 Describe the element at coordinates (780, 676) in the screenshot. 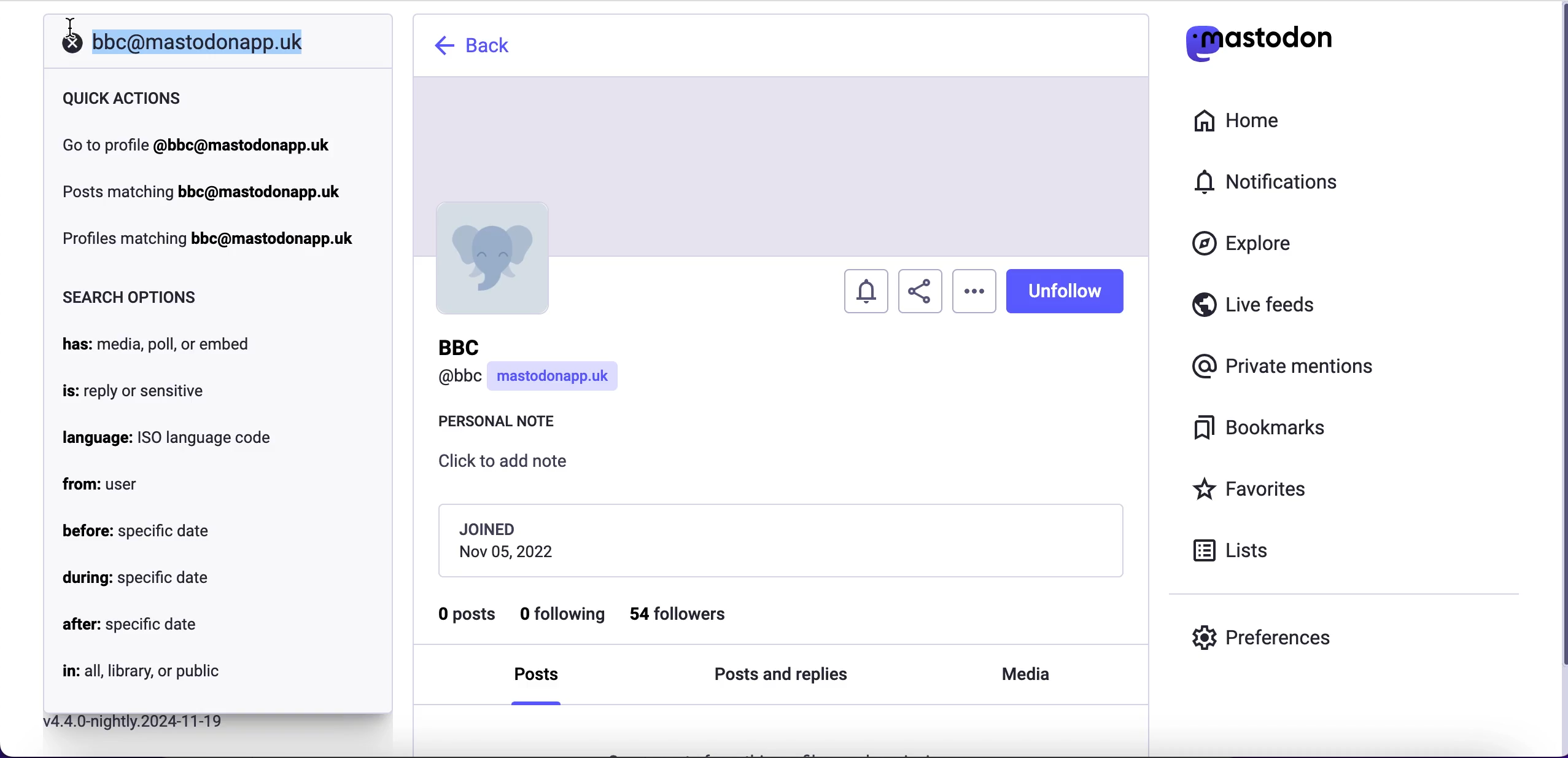

I see `posts and replies` at that location.